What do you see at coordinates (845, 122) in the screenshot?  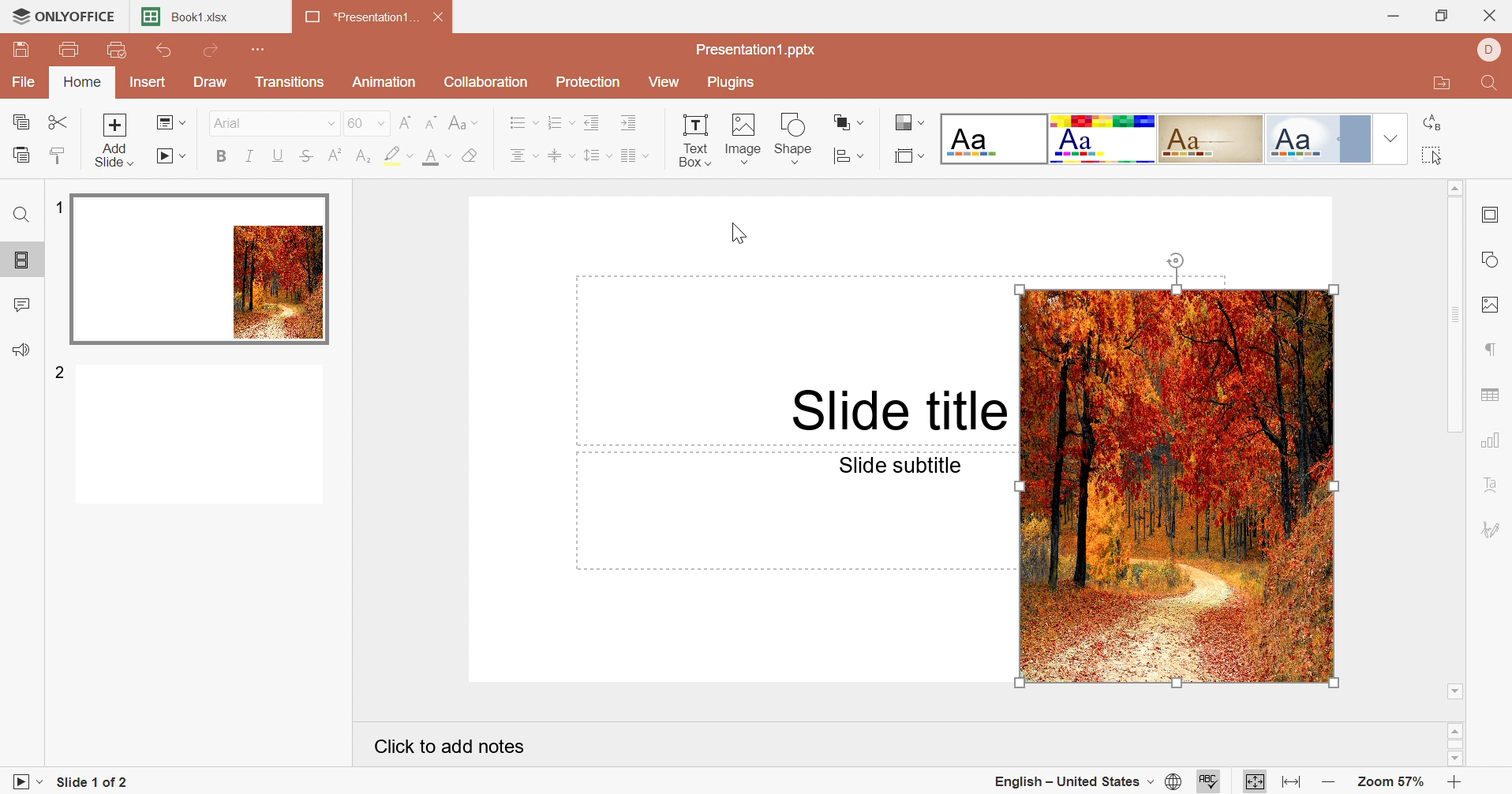 I see `Arrange shape` at bounding box center [845, 122].